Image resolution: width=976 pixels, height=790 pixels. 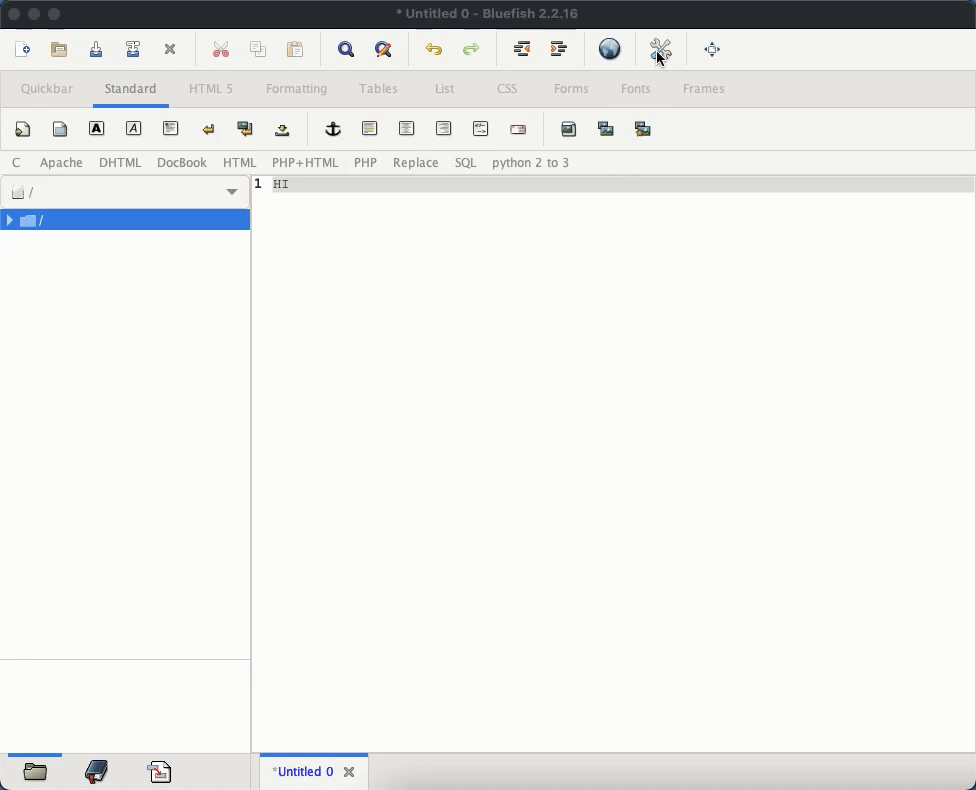 I want to click on Hi, so click(x=613, y=185).